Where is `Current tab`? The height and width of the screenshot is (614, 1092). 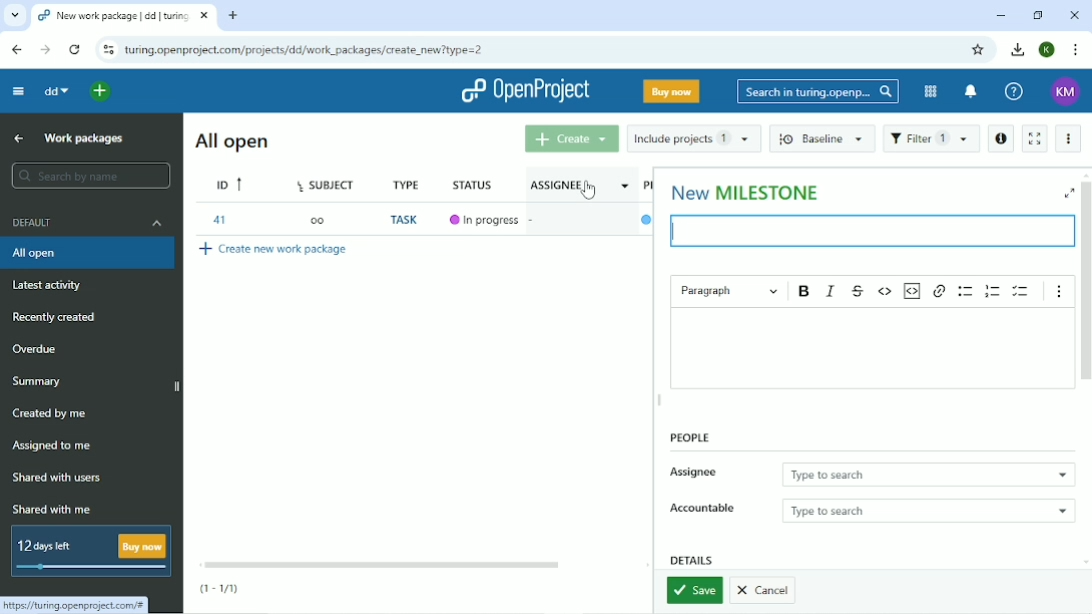 Current tab is located at coordinates (125, 15).